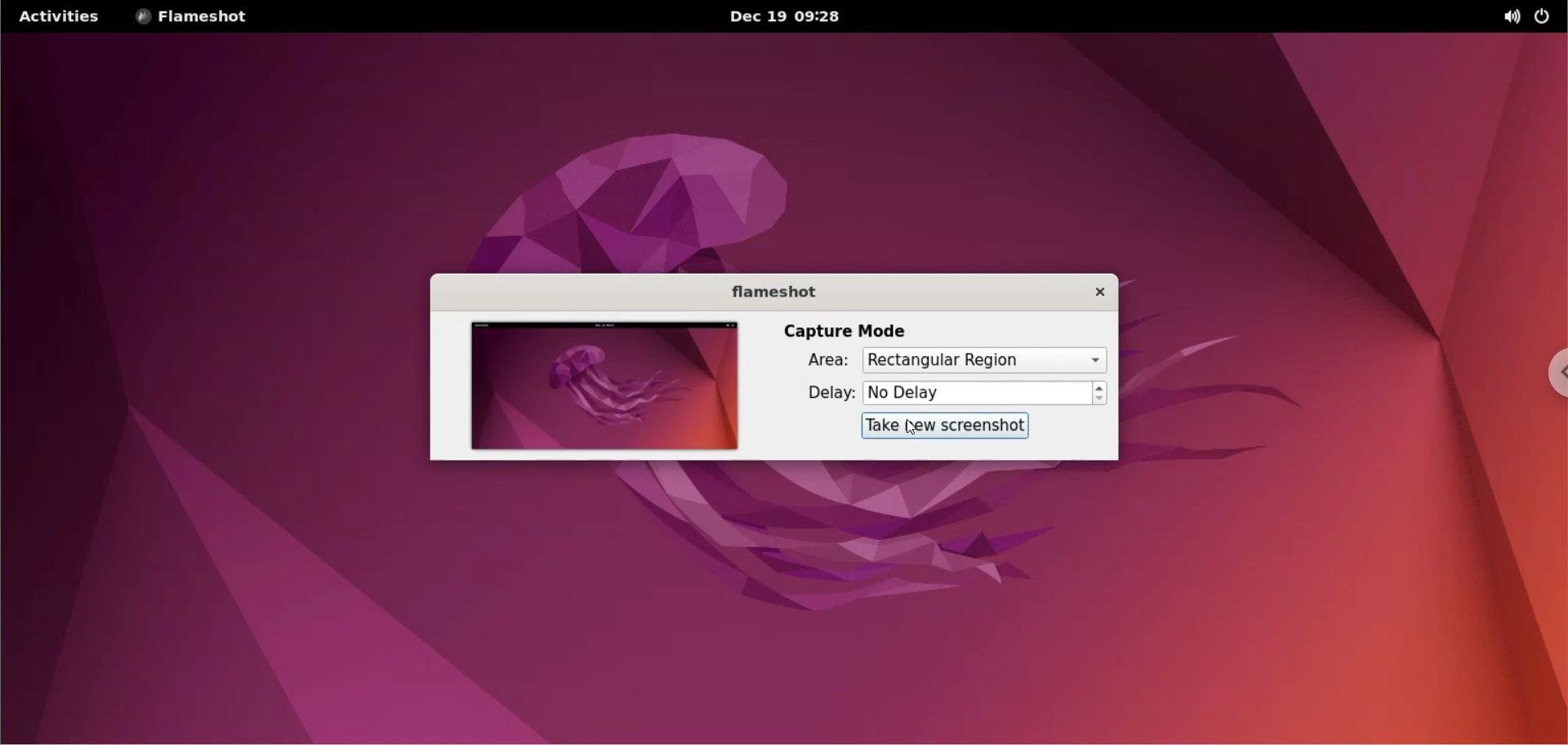  What do you see at coordinates (60, 16) in the screenshot?
I see `activities` at bounding box center [60, 16].